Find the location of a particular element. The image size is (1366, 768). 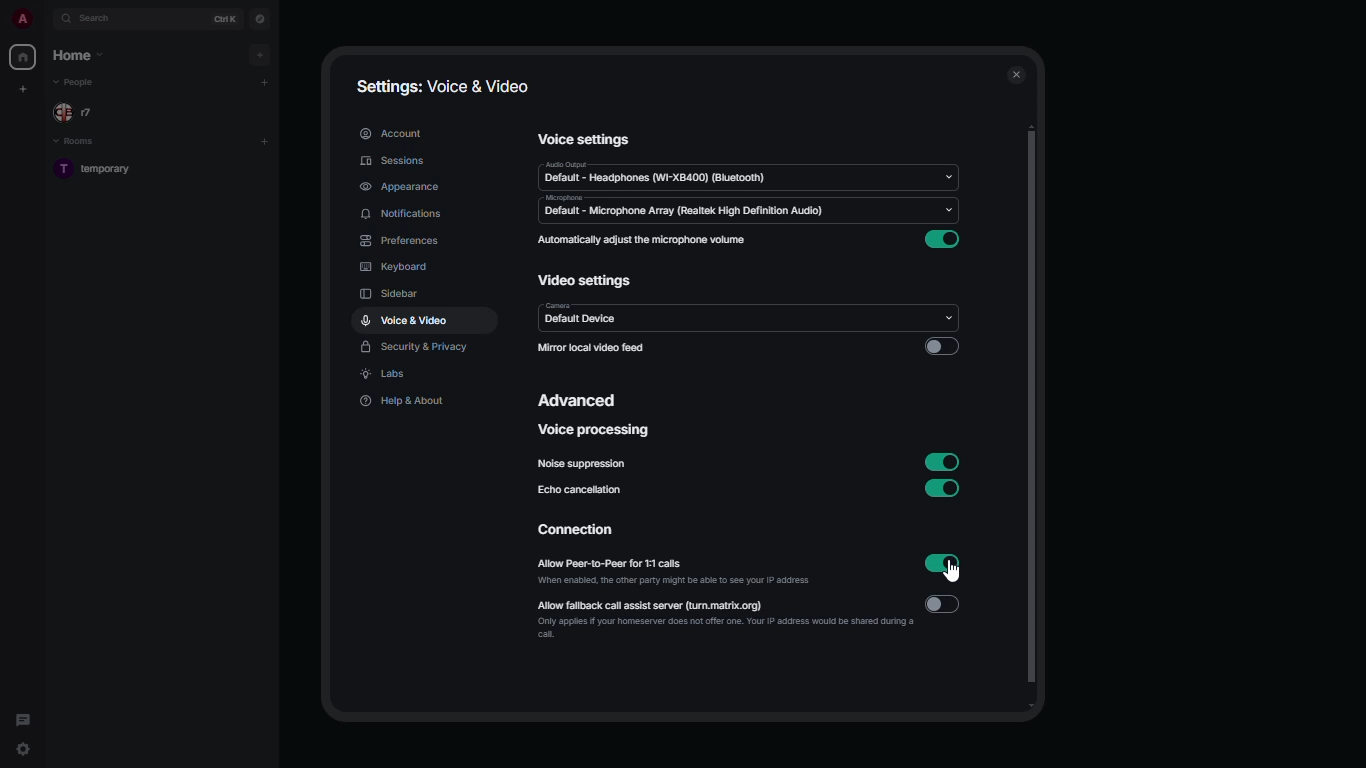

a is located at coordinates (22, 18).